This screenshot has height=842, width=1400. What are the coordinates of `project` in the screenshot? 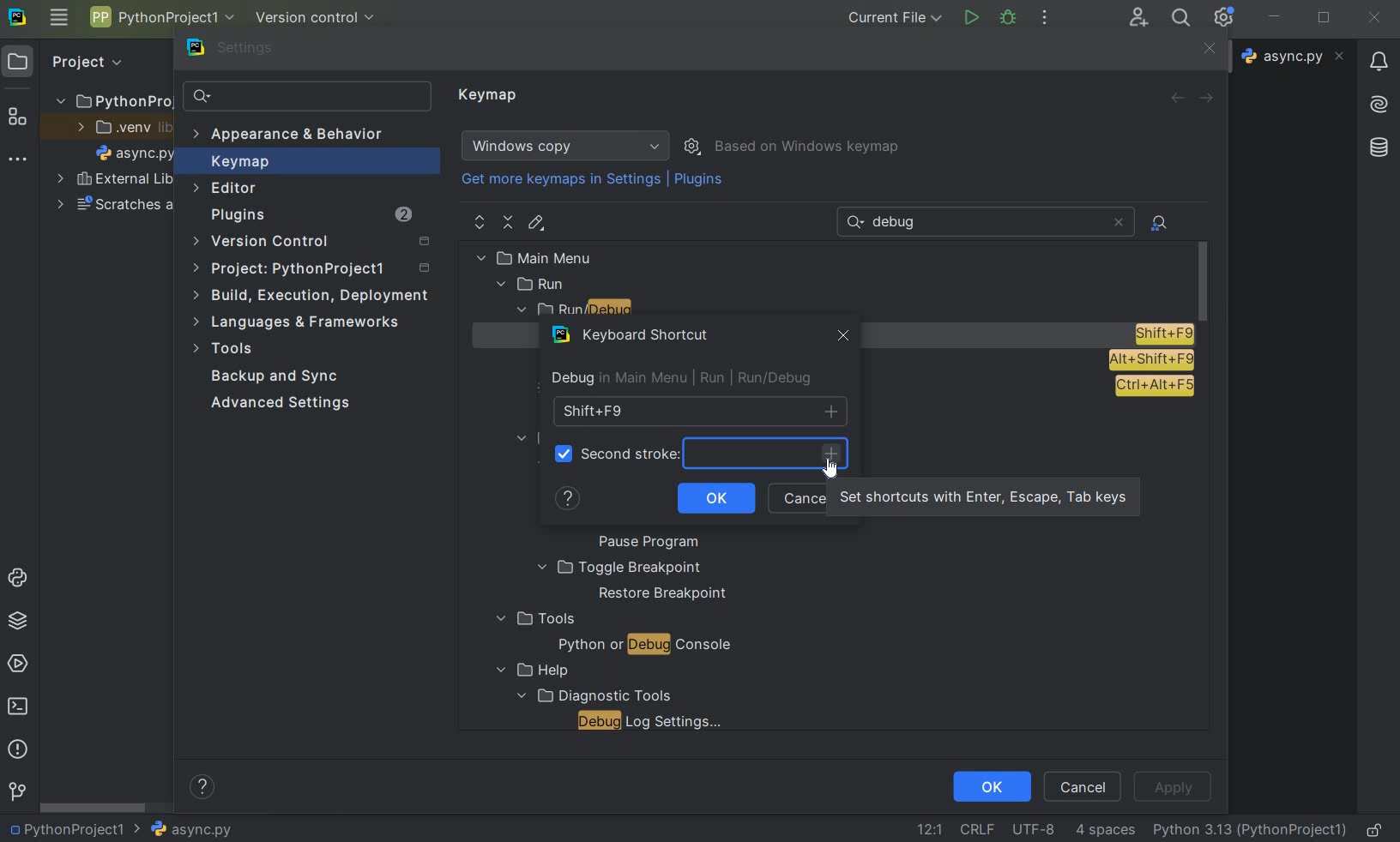 It's located at (314, 271).